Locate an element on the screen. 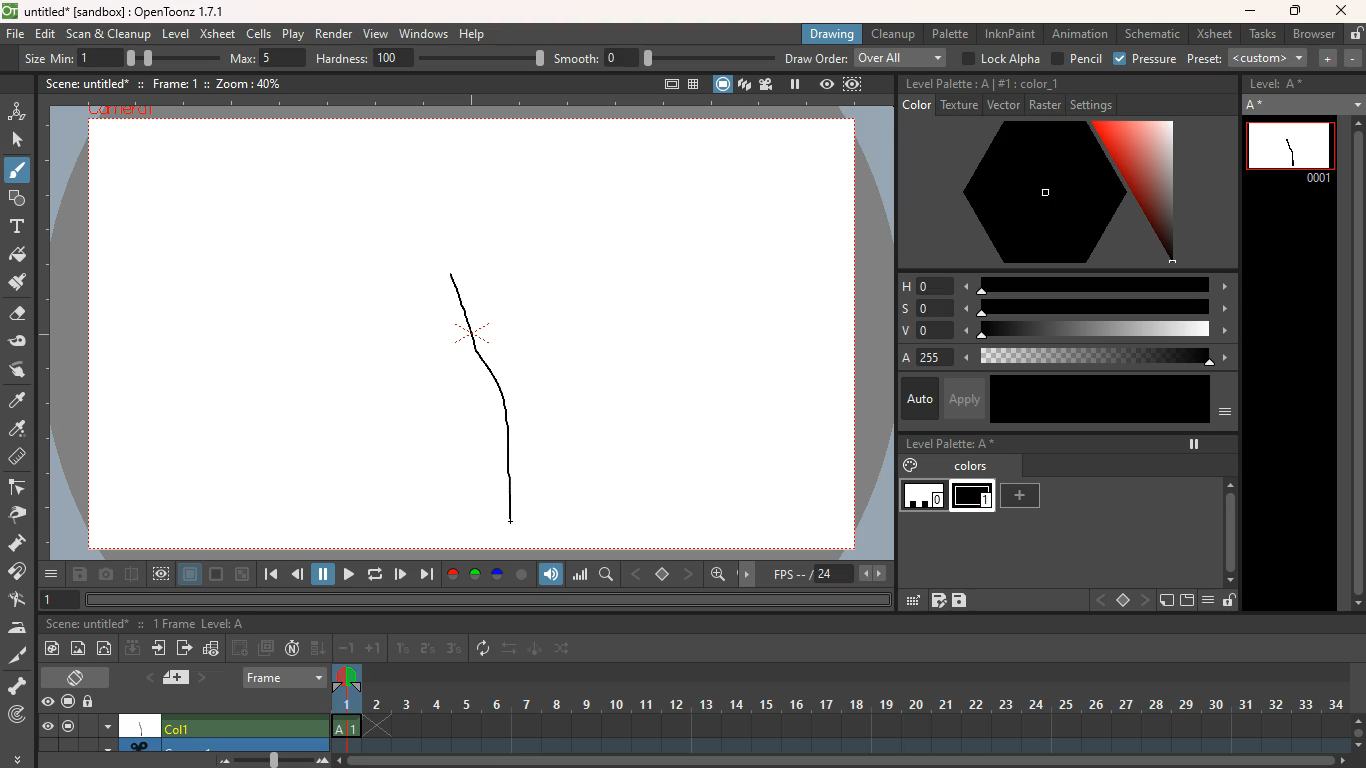  a is located at coordinates (908, 357).